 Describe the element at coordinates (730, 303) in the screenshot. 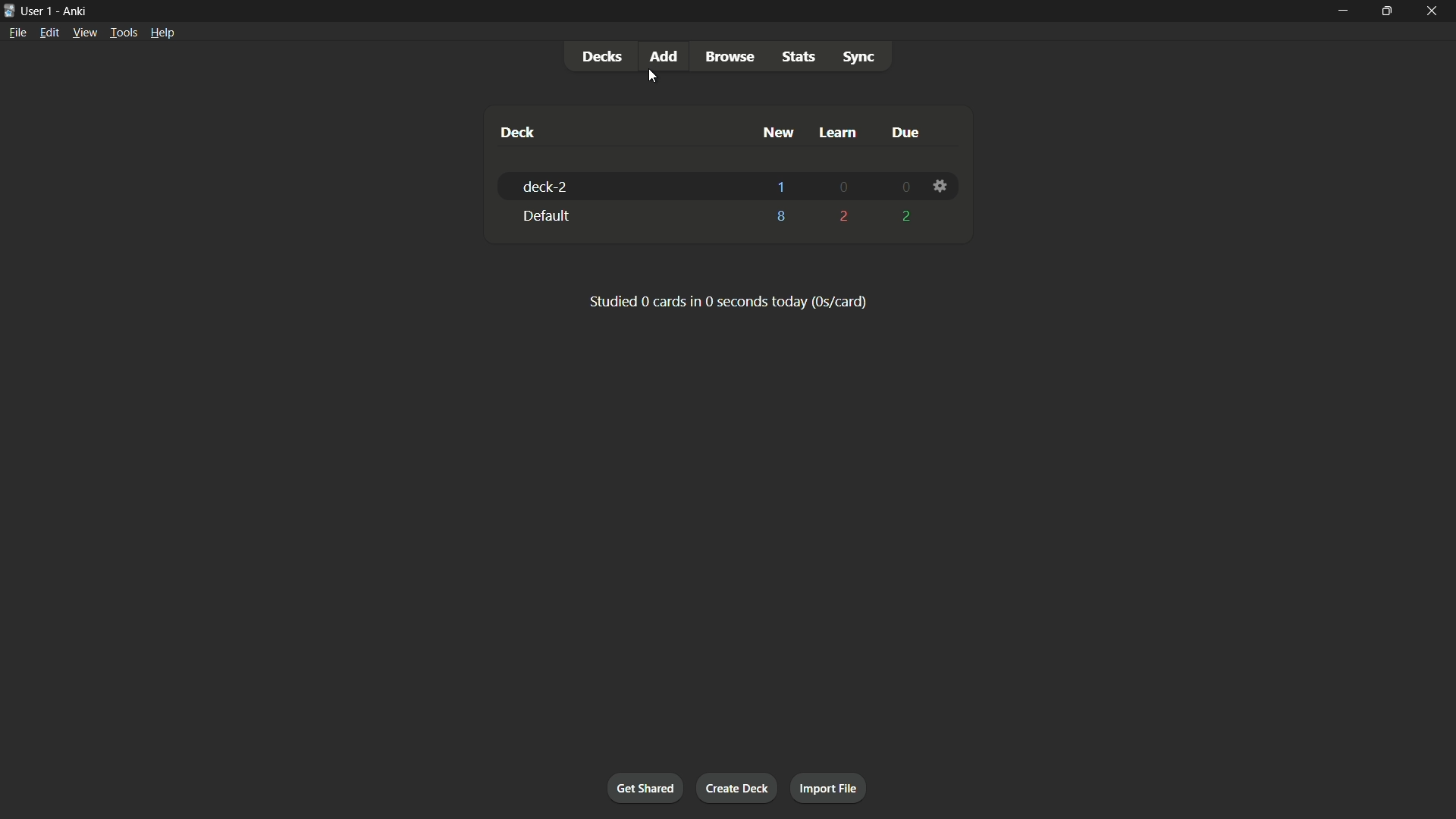

I see `text for studied cards` at that location.